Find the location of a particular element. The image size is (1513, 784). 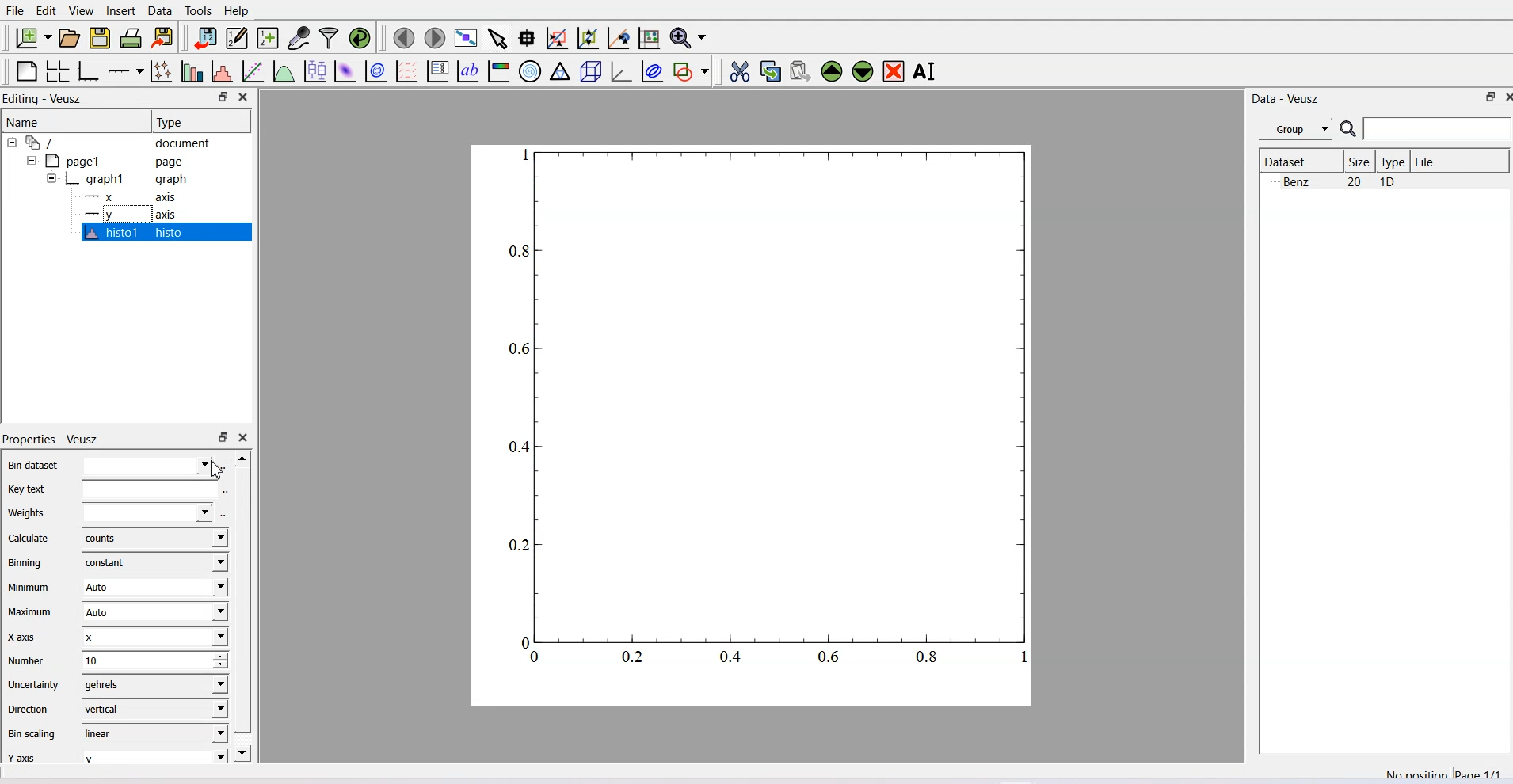

Add an axis to the Plot is located at coordinates (125, 71).